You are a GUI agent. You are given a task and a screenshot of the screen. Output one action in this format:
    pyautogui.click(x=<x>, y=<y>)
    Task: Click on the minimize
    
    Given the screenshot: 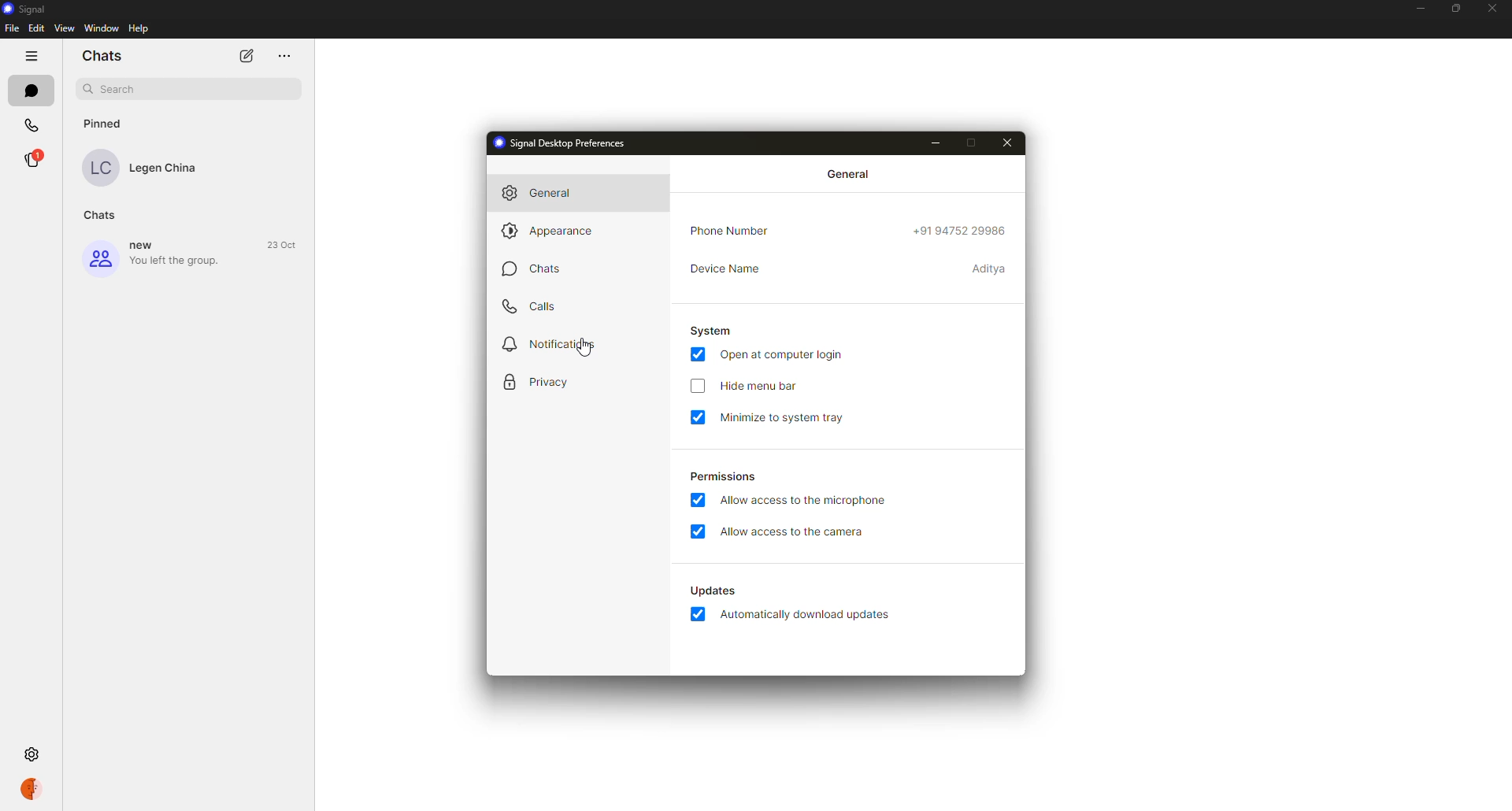 What is the action you would take?
    pyautogui.click(x=1421, y=9)
    